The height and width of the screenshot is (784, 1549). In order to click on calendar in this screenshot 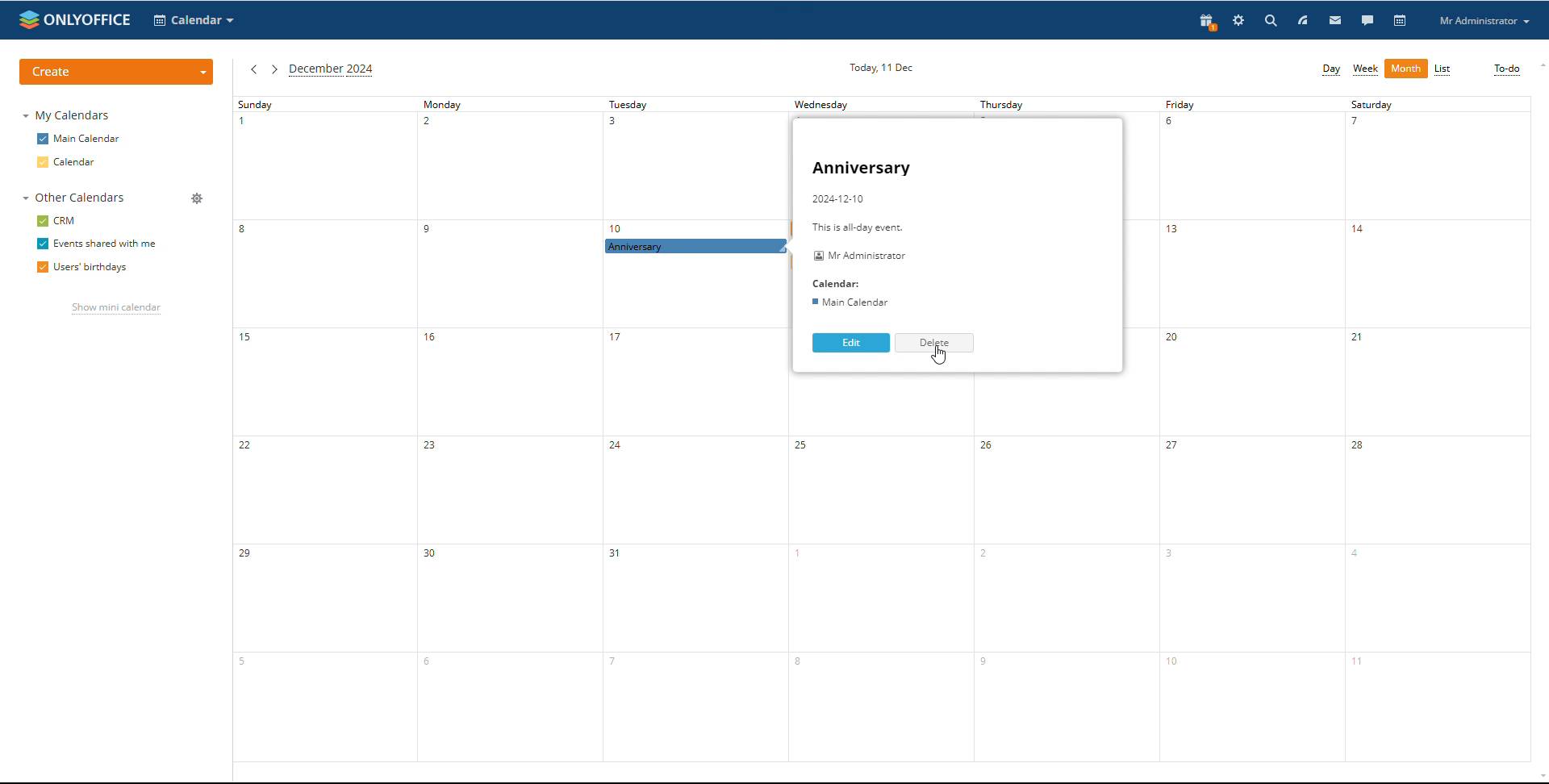, I will do `click(75, 162)`.